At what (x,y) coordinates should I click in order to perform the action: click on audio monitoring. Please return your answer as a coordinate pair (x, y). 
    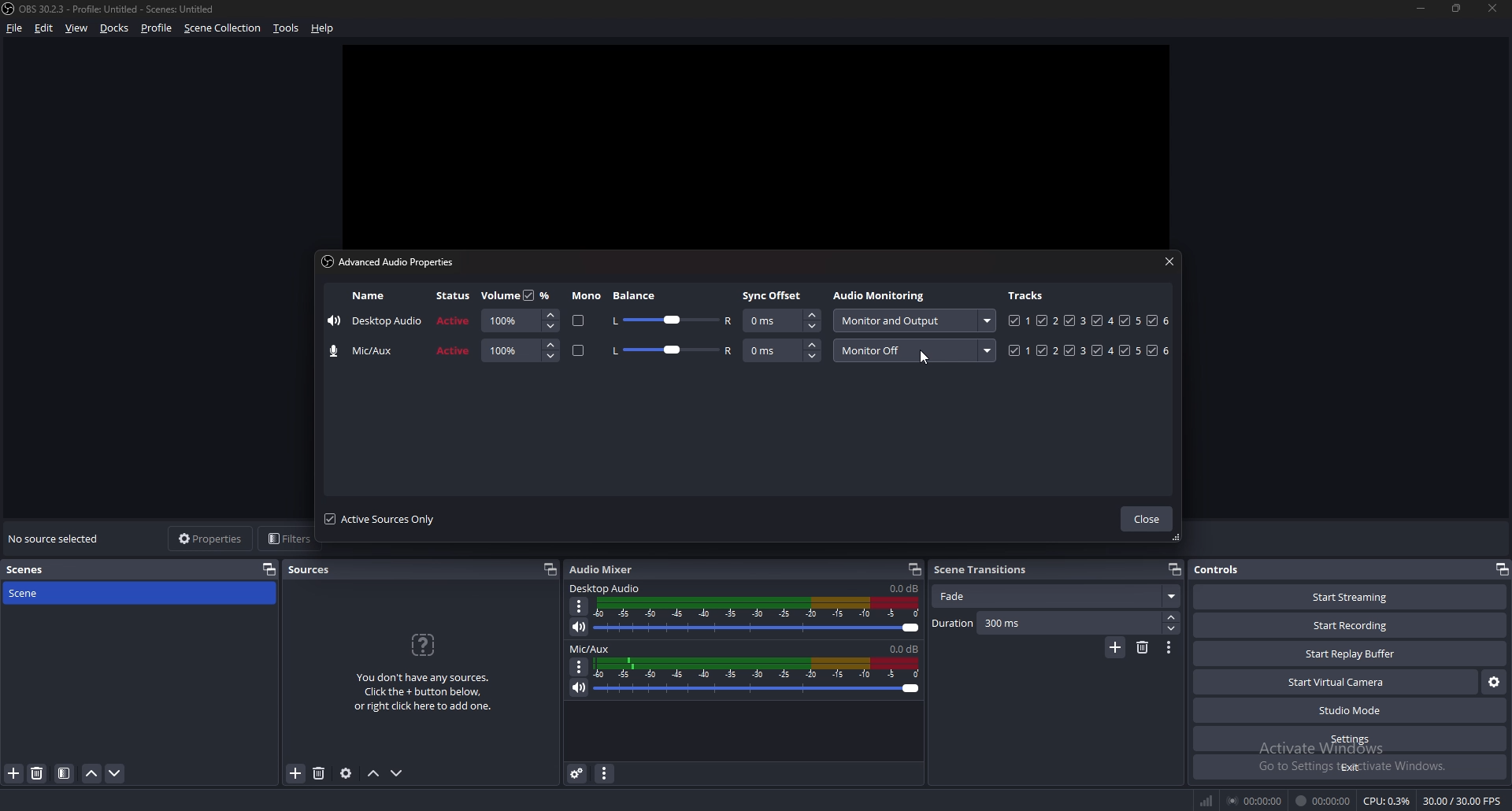
    Looking at the image, I should click on (880, 294).